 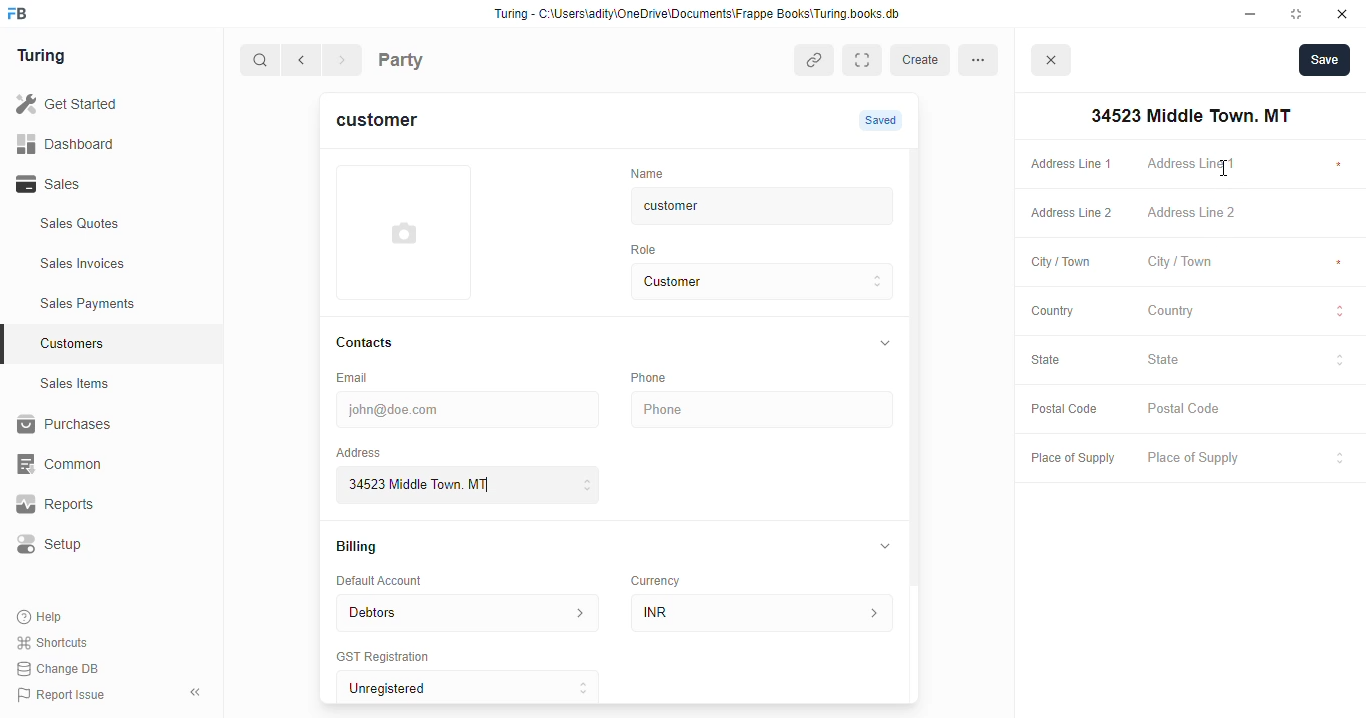 What do you see at coordinates (404, 232) in the screenshot?
I see `add profile photo` at bounding box center [404, 232].